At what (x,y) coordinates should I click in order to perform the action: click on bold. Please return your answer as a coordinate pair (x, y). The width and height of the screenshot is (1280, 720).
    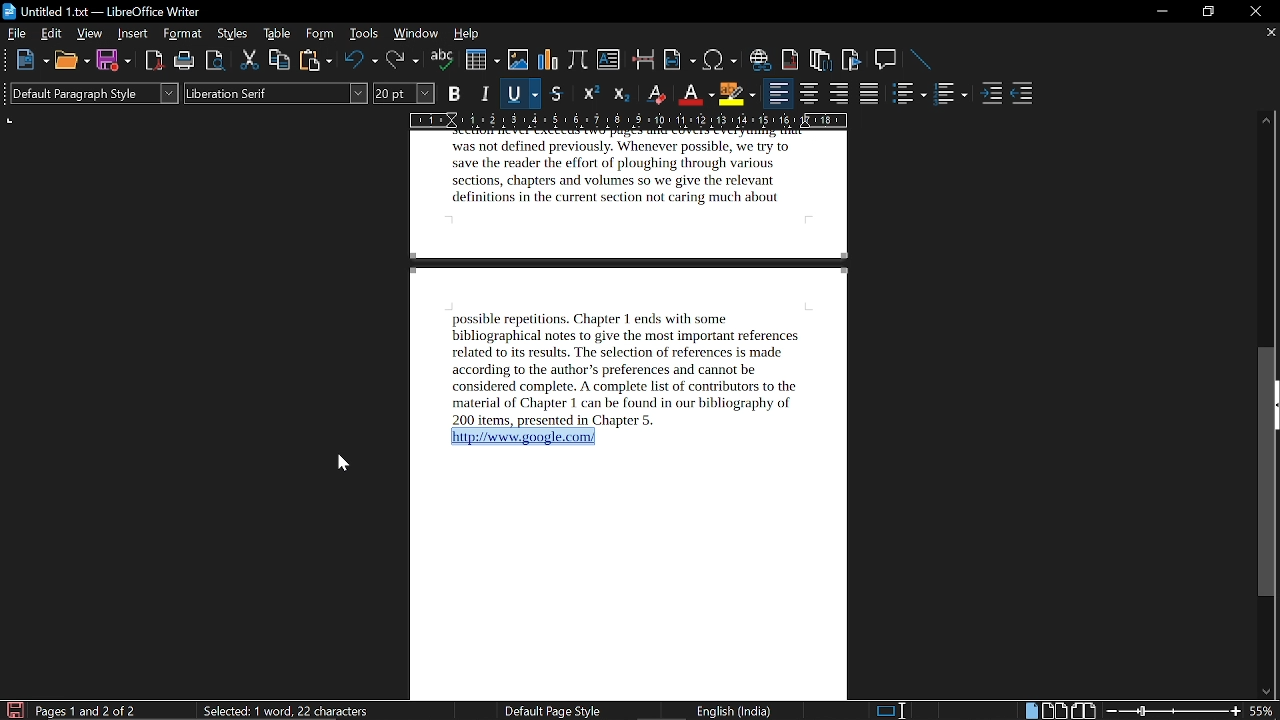
    Looking at the image, I should click on (455, 94).